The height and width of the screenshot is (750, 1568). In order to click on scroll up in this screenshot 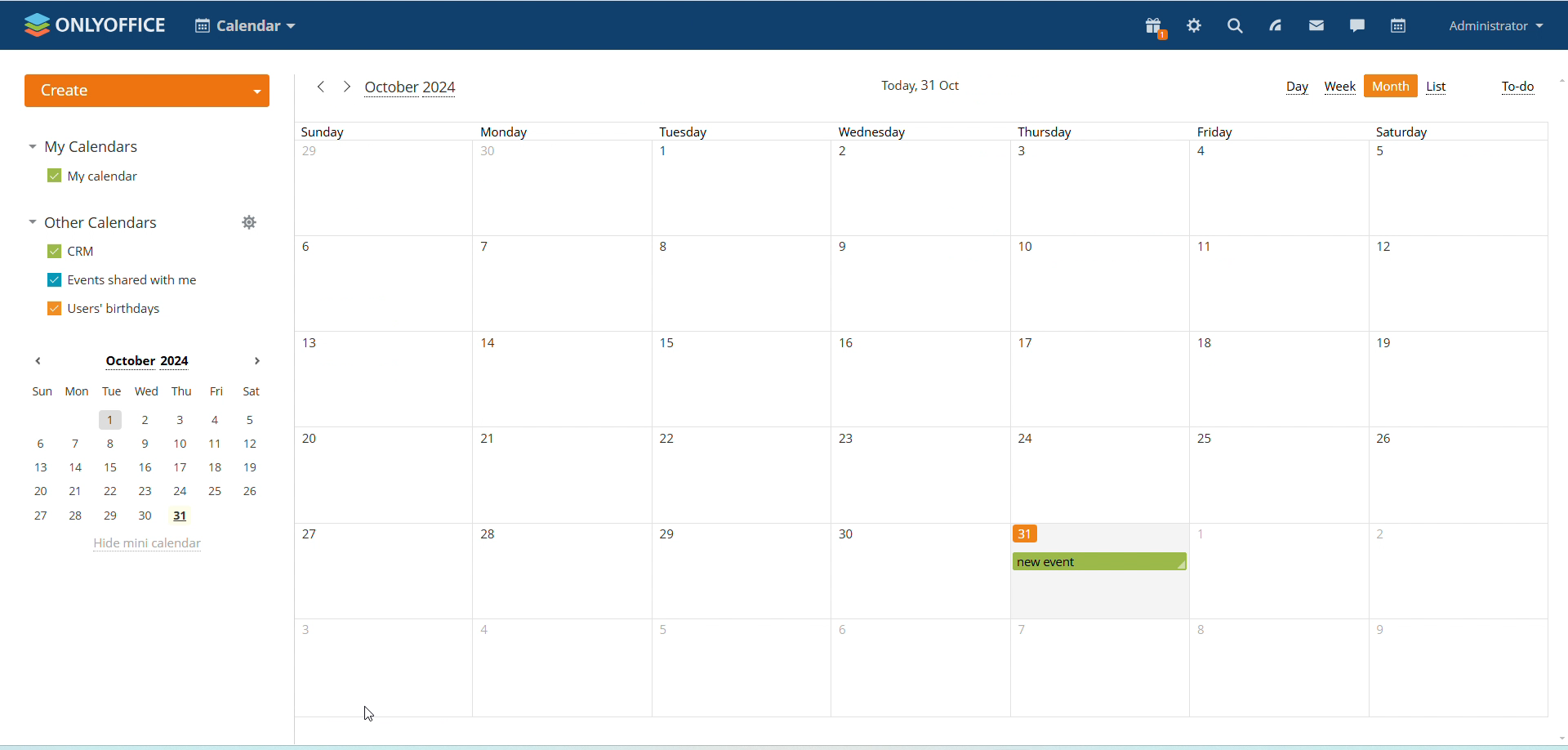, I will do `click(1561, 79)`.